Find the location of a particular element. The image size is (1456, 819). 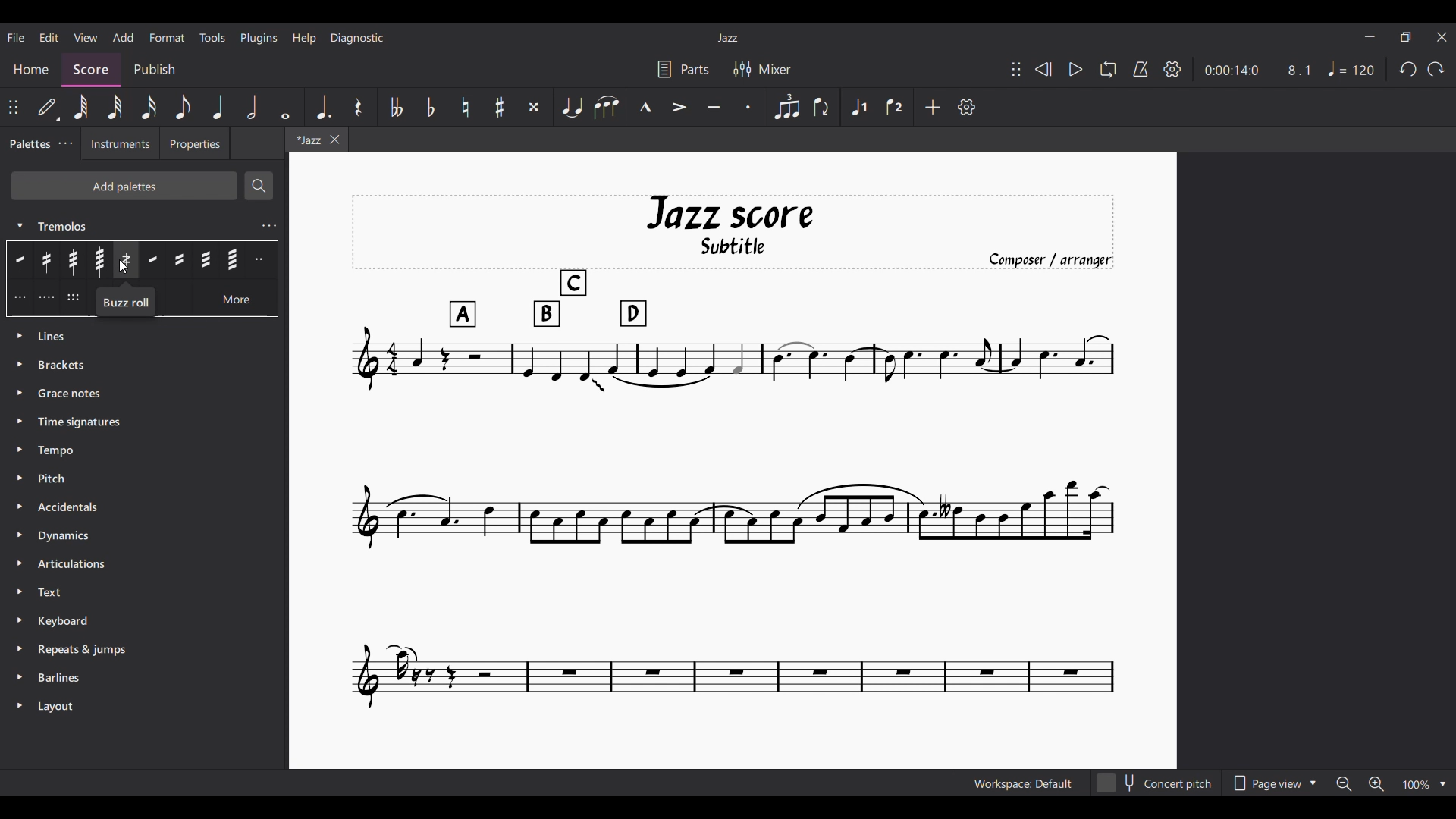

Rewind is located at coordinates (1043, 69).